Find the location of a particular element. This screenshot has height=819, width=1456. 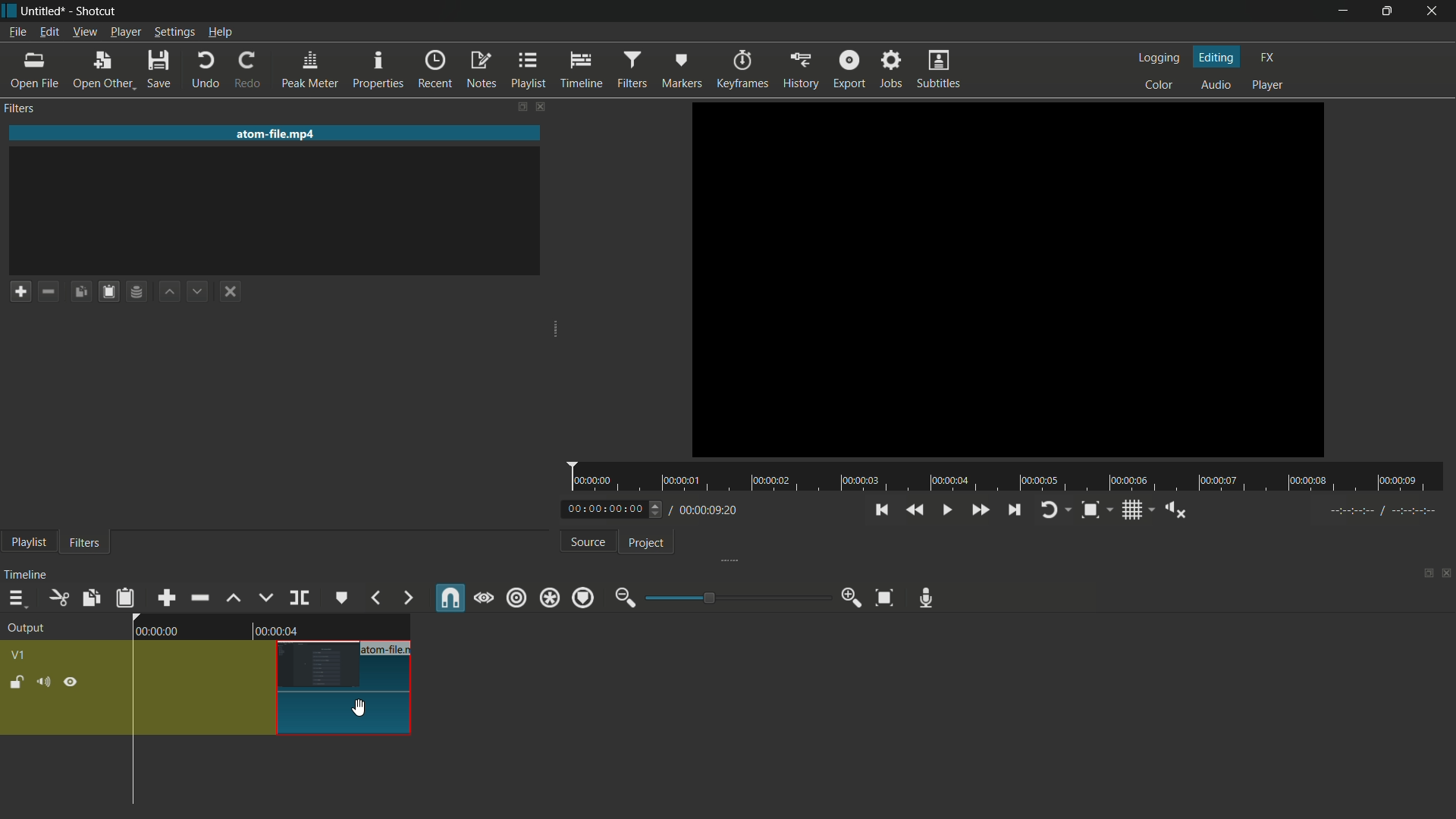

color is located at coordinates (1155, 86).